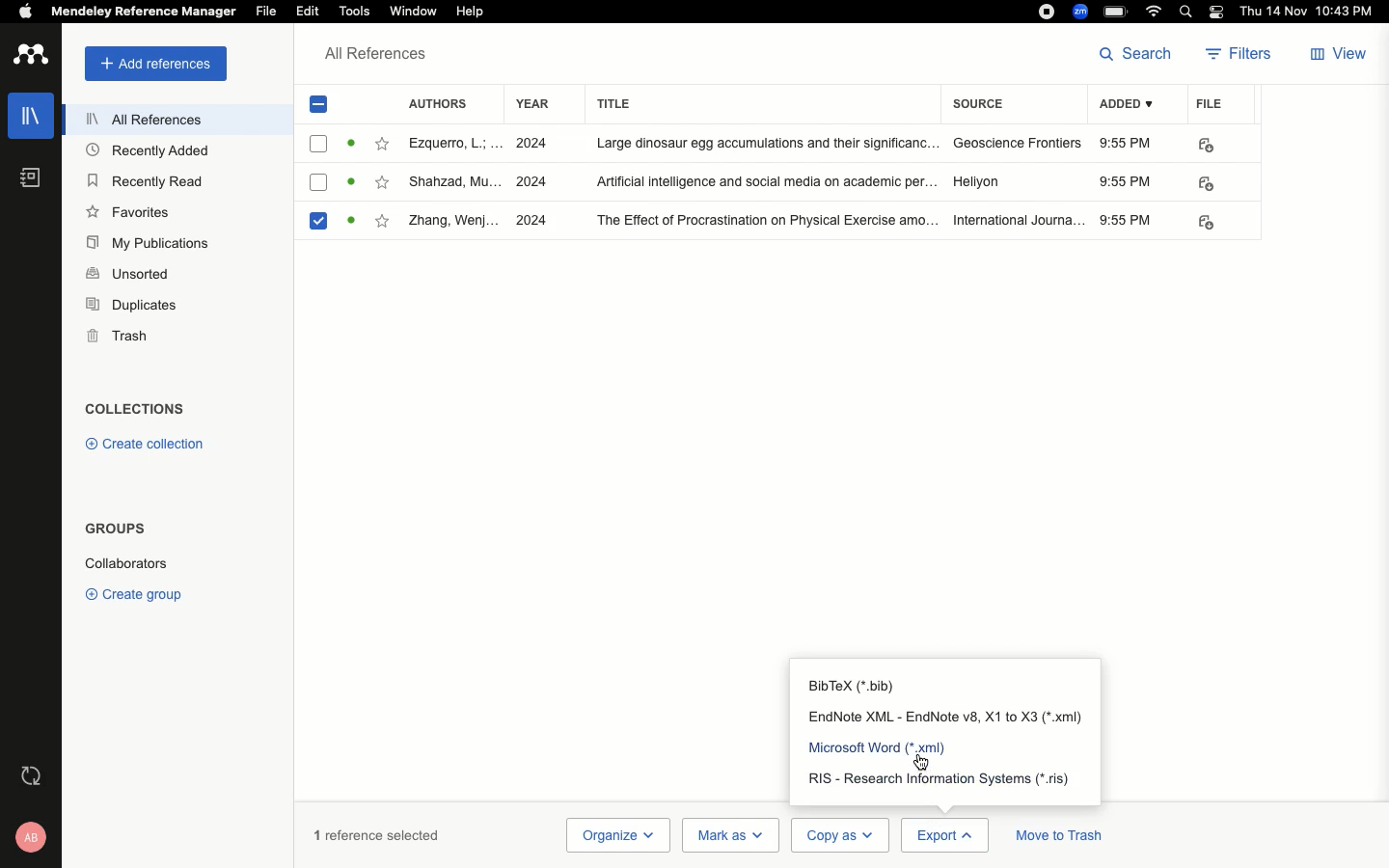 The width and height of the screenshot is (1389, 868). Describe the element at coordinates (769, 143) in the screenshot. I see `large dinasour egg accumolatations and their significance` at that location.